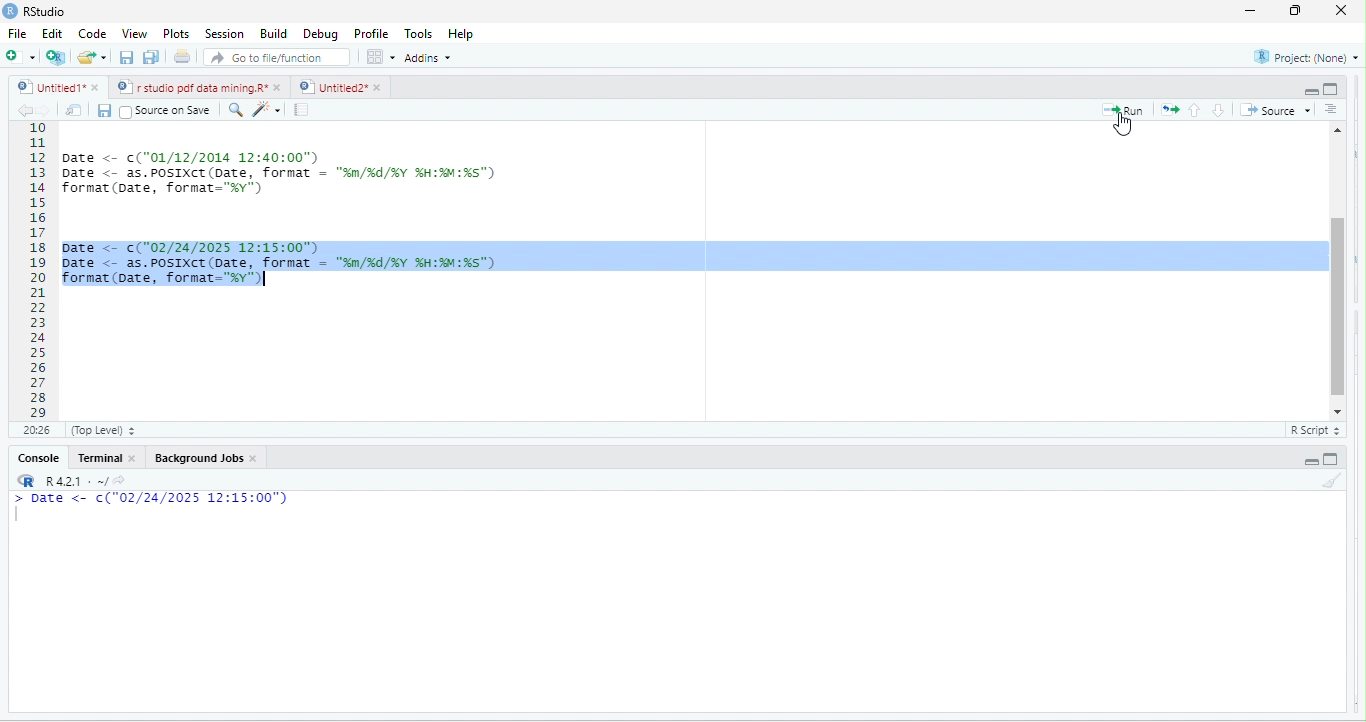 The width and height of the screenshot is (1366, 722). I want to click on typing cursor, so click(18, 521).